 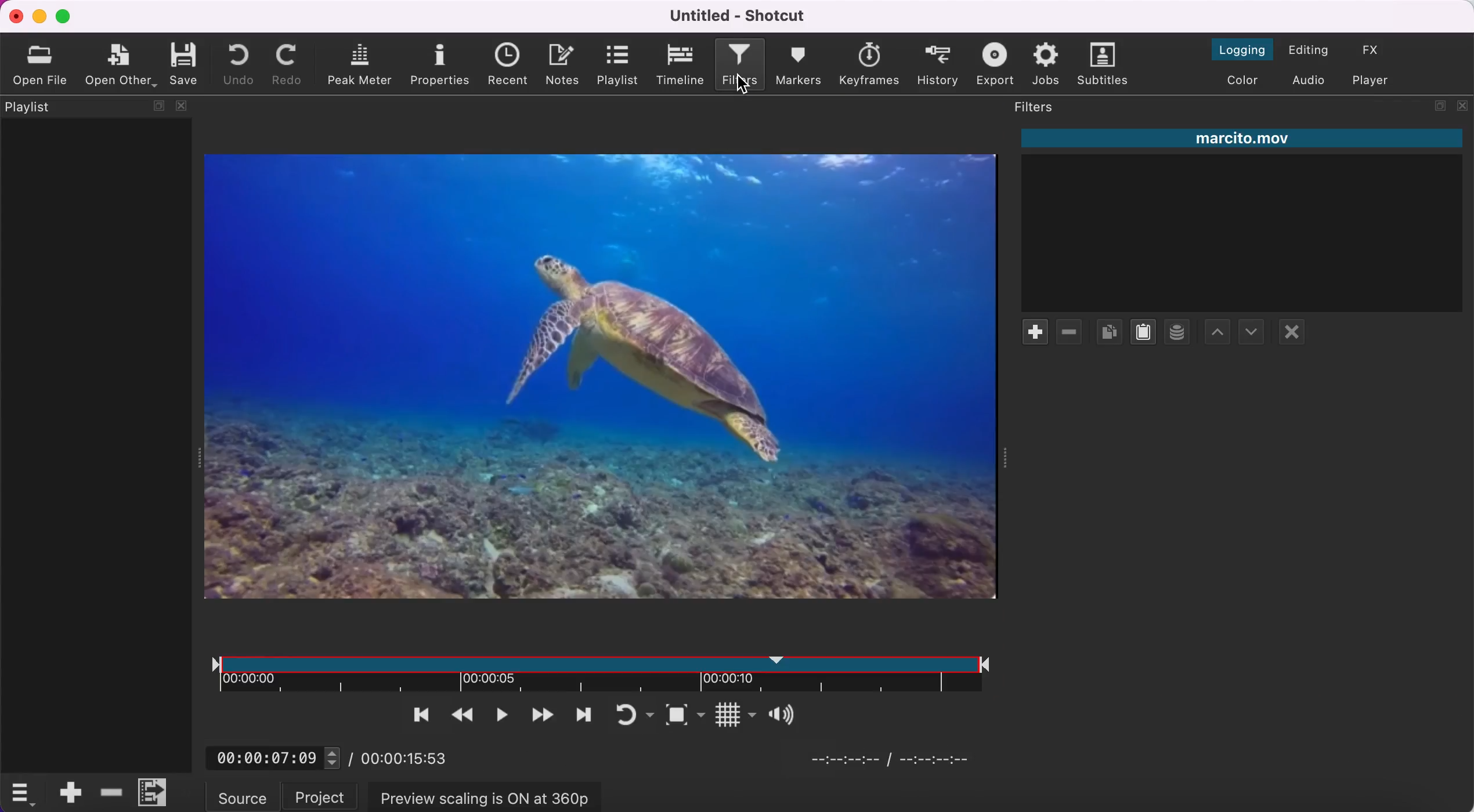 I want to click on copy checked filters, so click(x=1108, y=334).